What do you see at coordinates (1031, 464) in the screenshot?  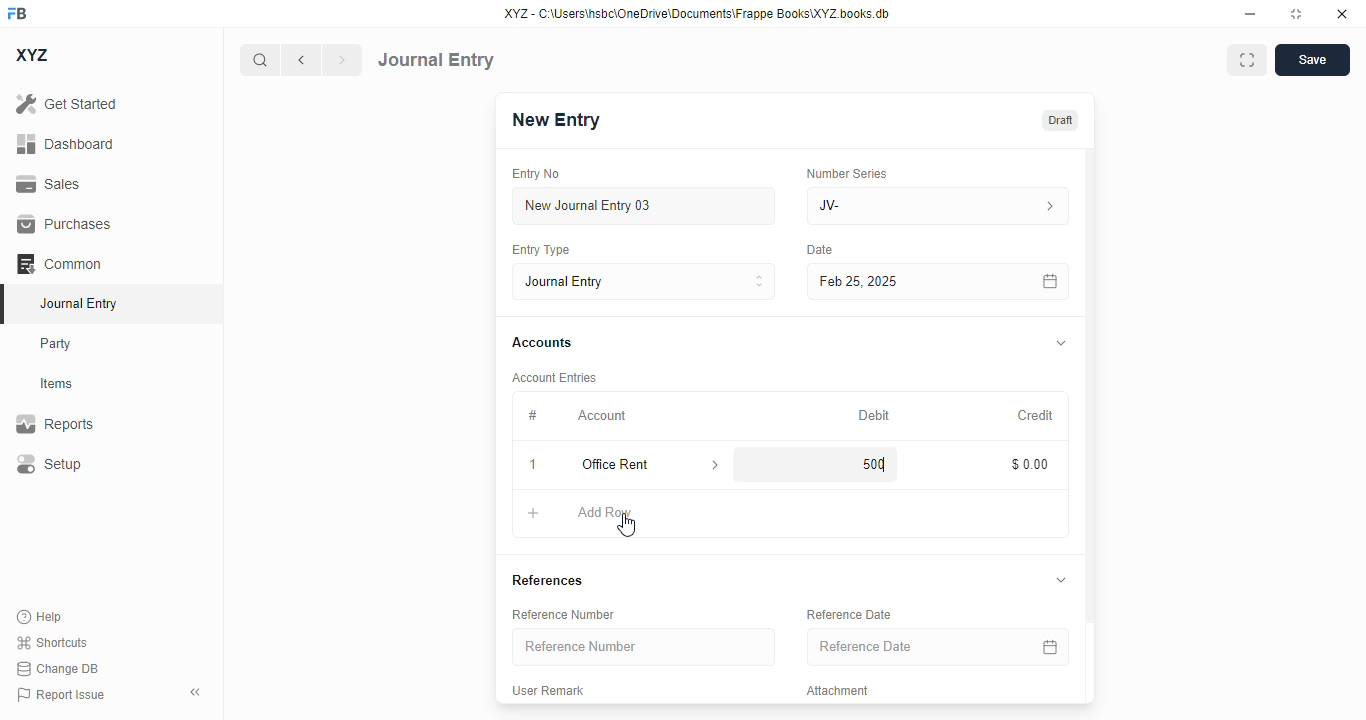 I see `$0.00` at bounding box center [1031, 464].